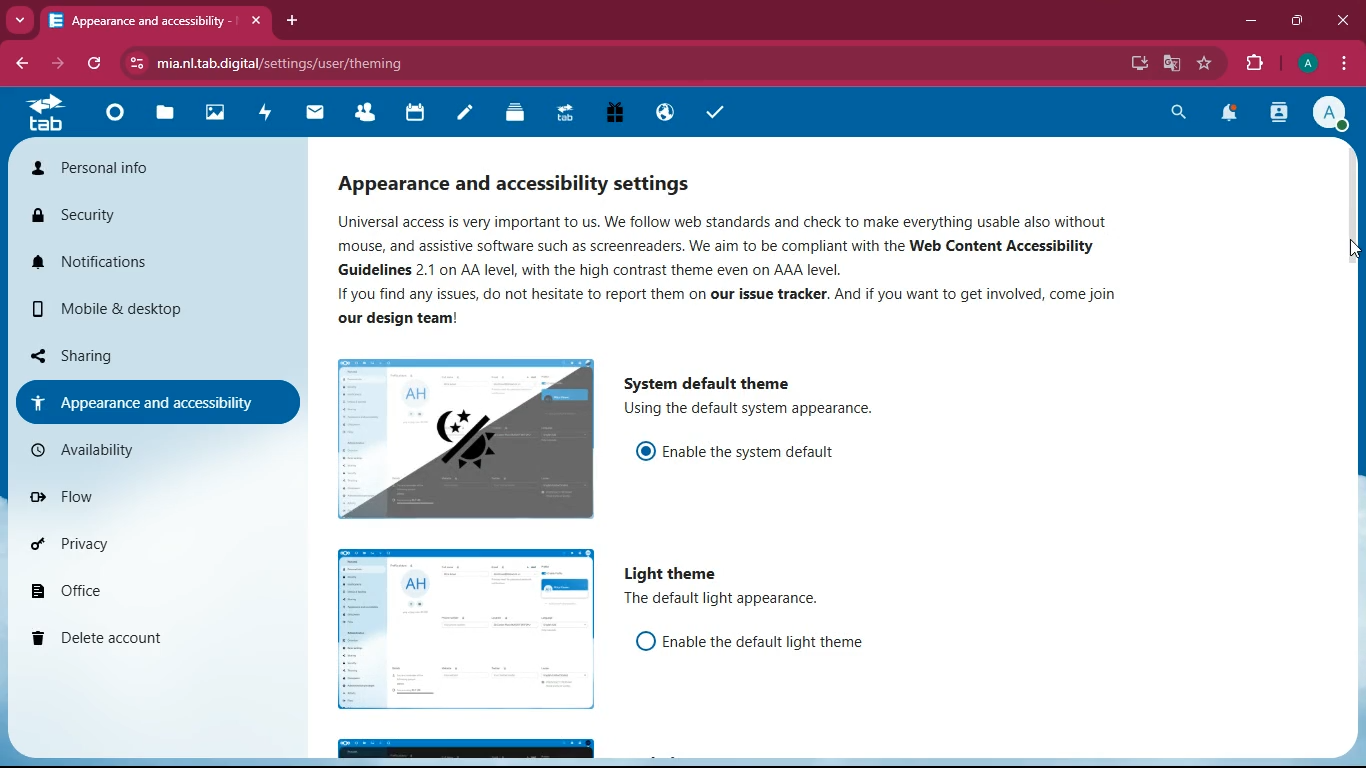 Image resolution: width=1366 pixels, height=768 pixels. Describe the element at coordinates (1297, 22) in the screenshot. I see `maximize` at that location.